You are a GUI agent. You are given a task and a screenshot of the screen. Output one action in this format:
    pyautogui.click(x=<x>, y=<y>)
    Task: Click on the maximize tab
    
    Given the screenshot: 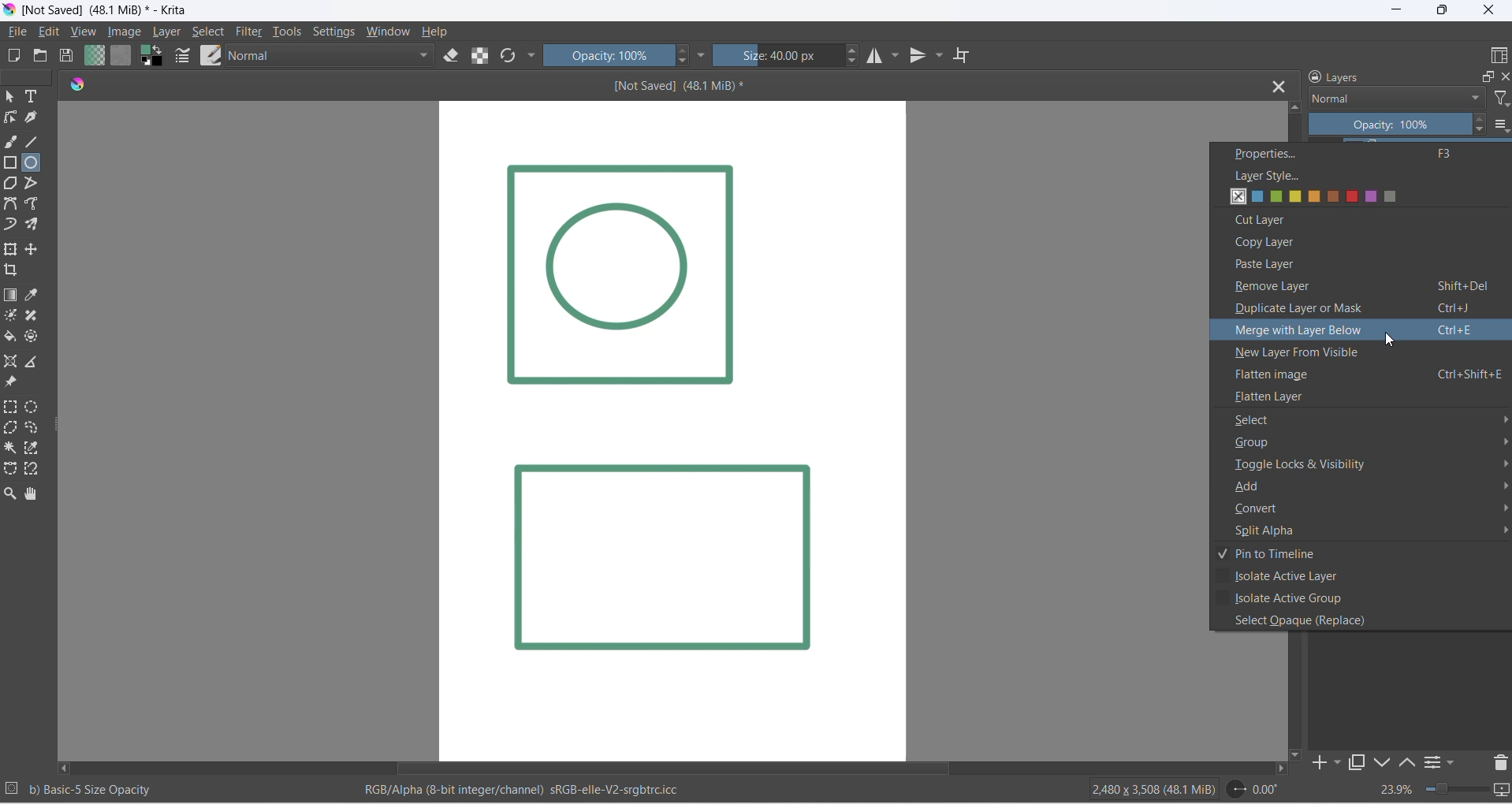 What is the action you would take?
    pyautogui.click(x=1357, y=764)
    